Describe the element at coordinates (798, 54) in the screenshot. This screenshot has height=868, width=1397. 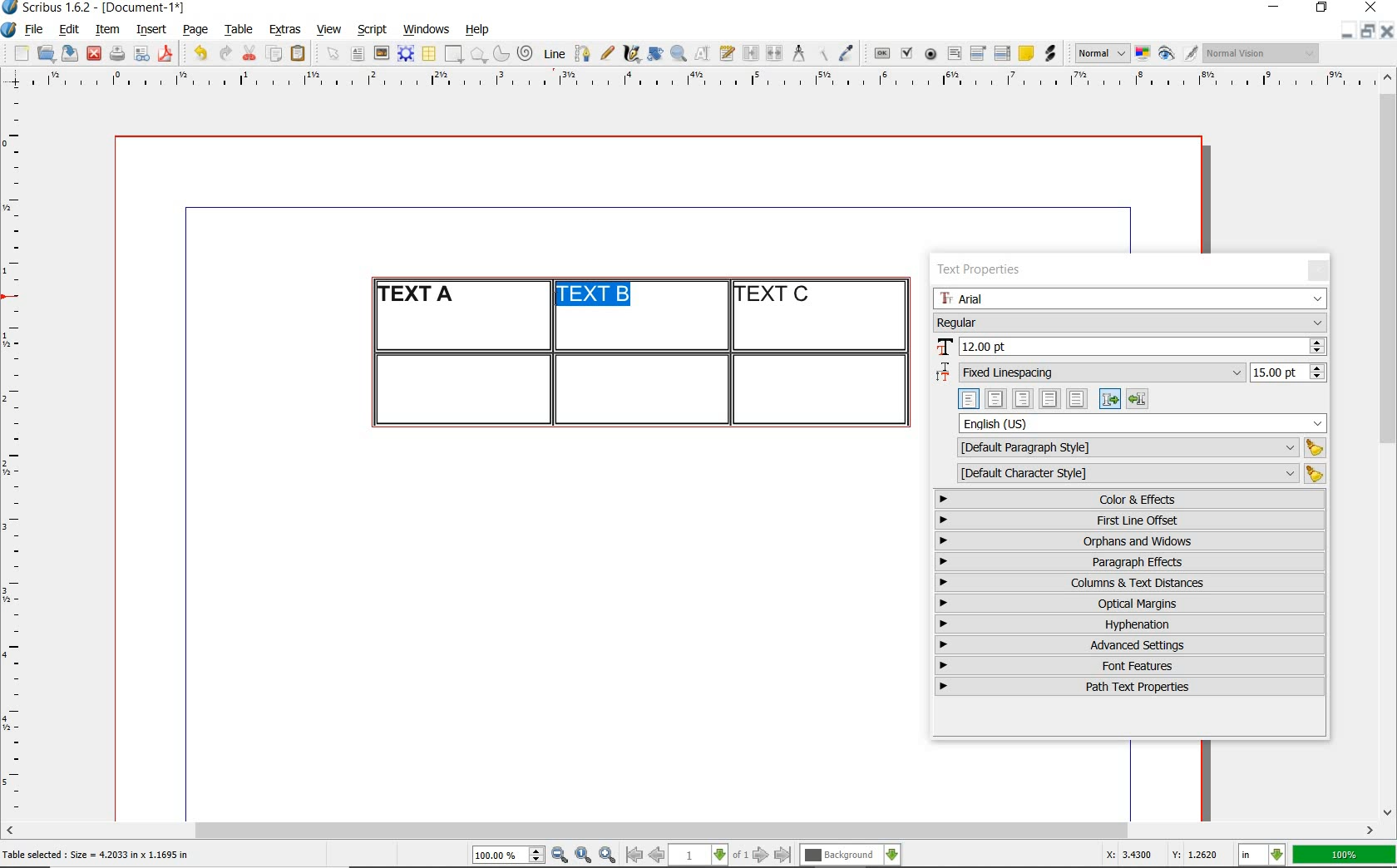
I see `measurements` at that location.